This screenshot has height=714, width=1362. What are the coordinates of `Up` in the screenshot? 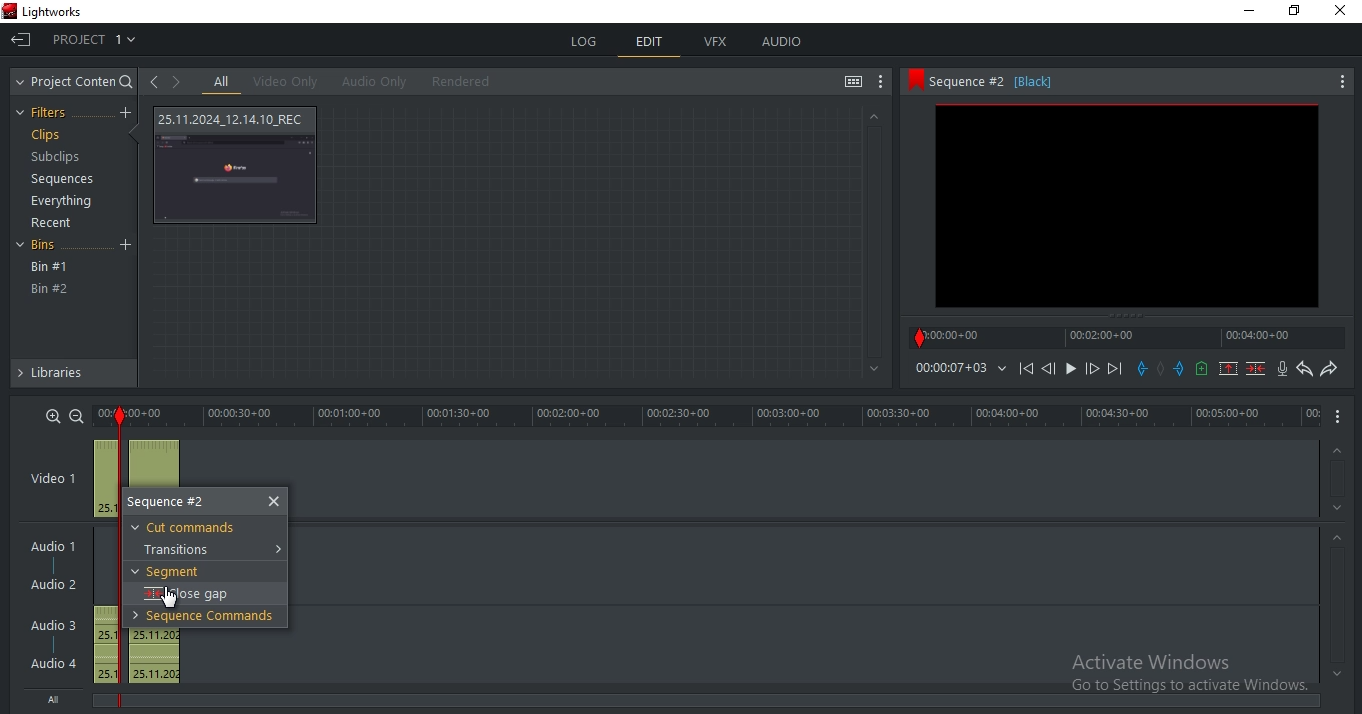 It's located at (1339, 448).